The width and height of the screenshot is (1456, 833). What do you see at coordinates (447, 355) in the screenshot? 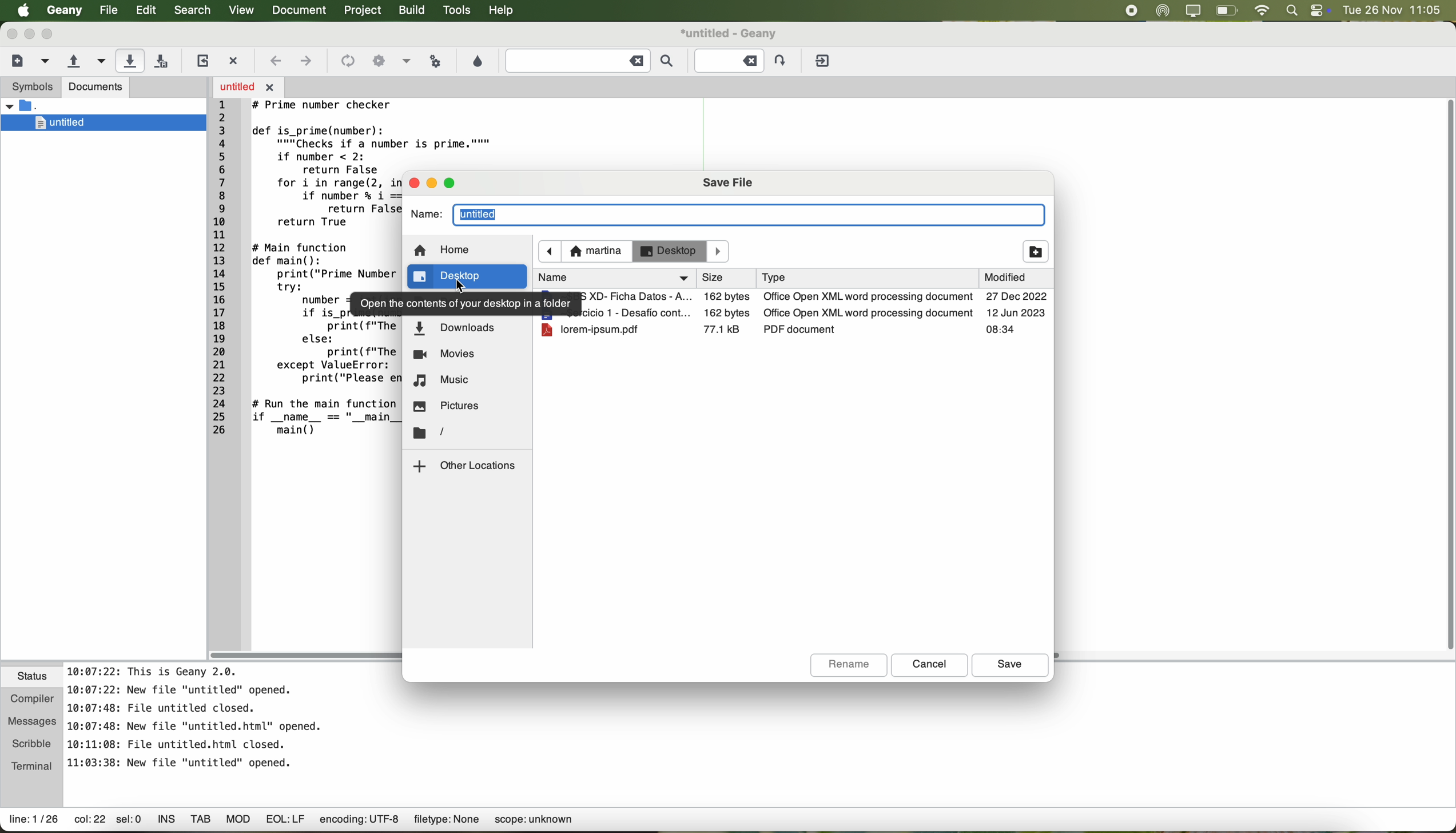
I see `movies` at bounding box center [447, 355].